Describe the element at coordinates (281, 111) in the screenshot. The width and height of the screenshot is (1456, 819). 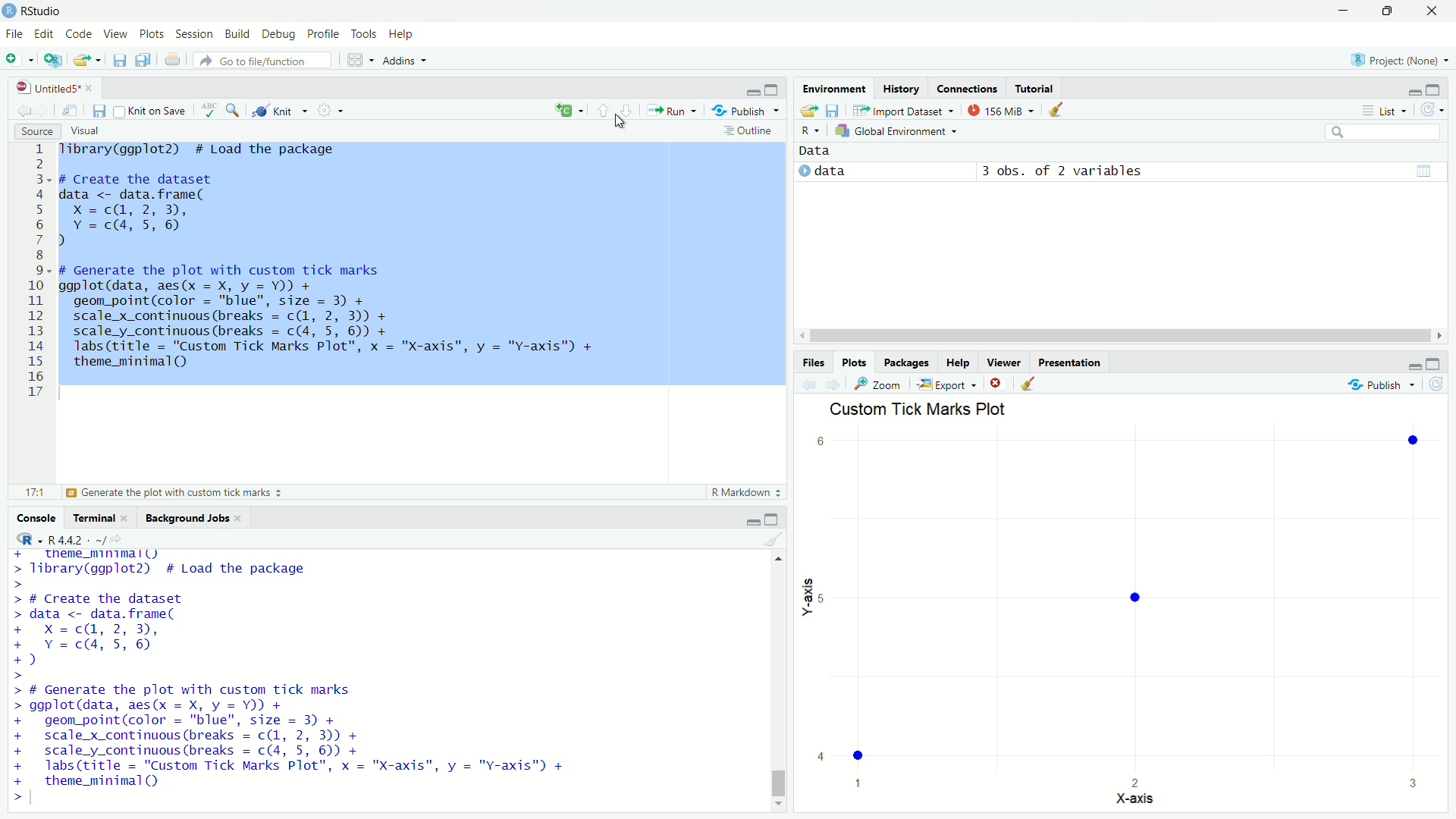
I see `knit` at that location.